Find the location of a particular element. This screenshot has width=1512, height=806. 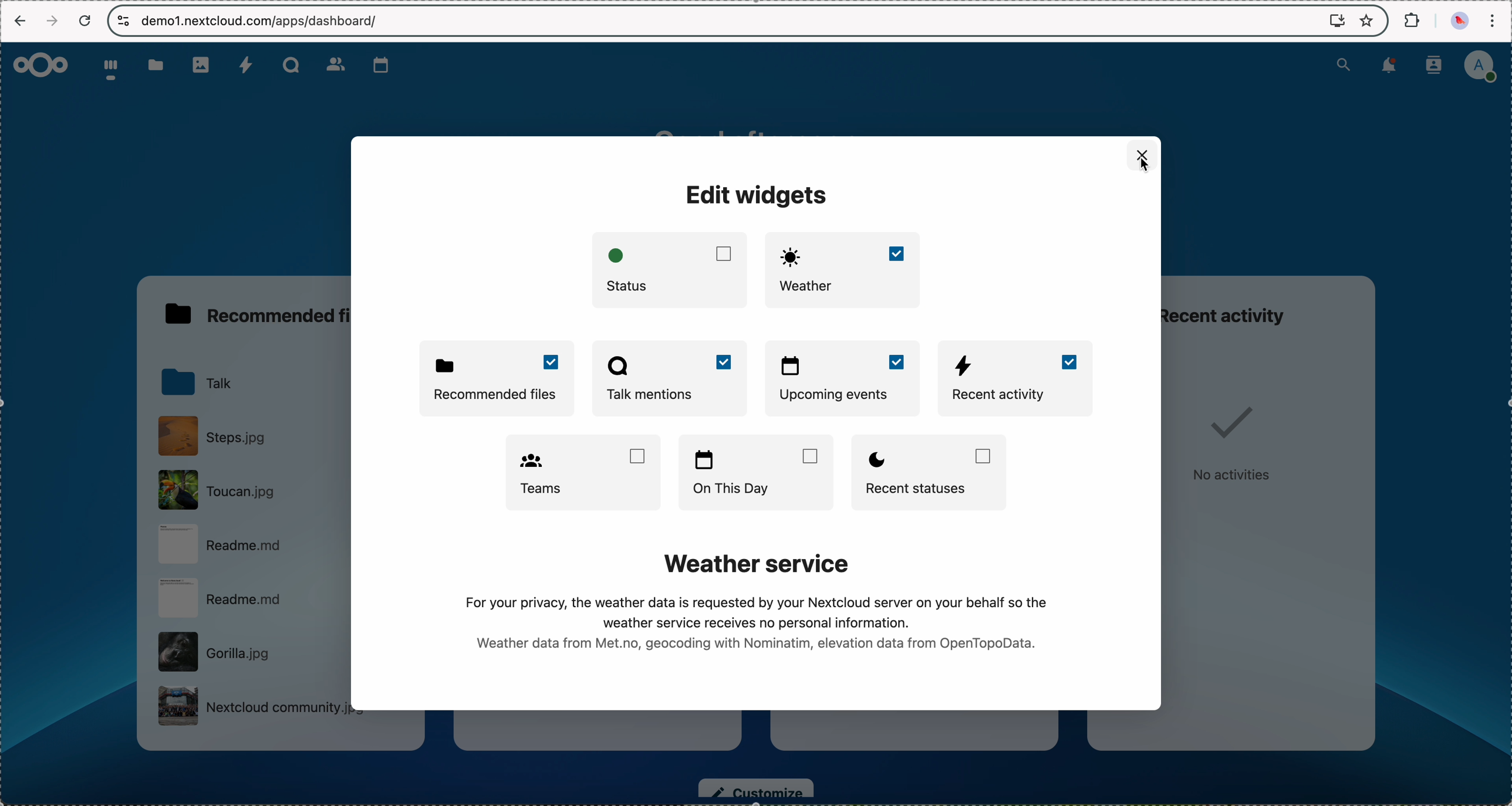

navigate foward is located at coordinates (55, 20).